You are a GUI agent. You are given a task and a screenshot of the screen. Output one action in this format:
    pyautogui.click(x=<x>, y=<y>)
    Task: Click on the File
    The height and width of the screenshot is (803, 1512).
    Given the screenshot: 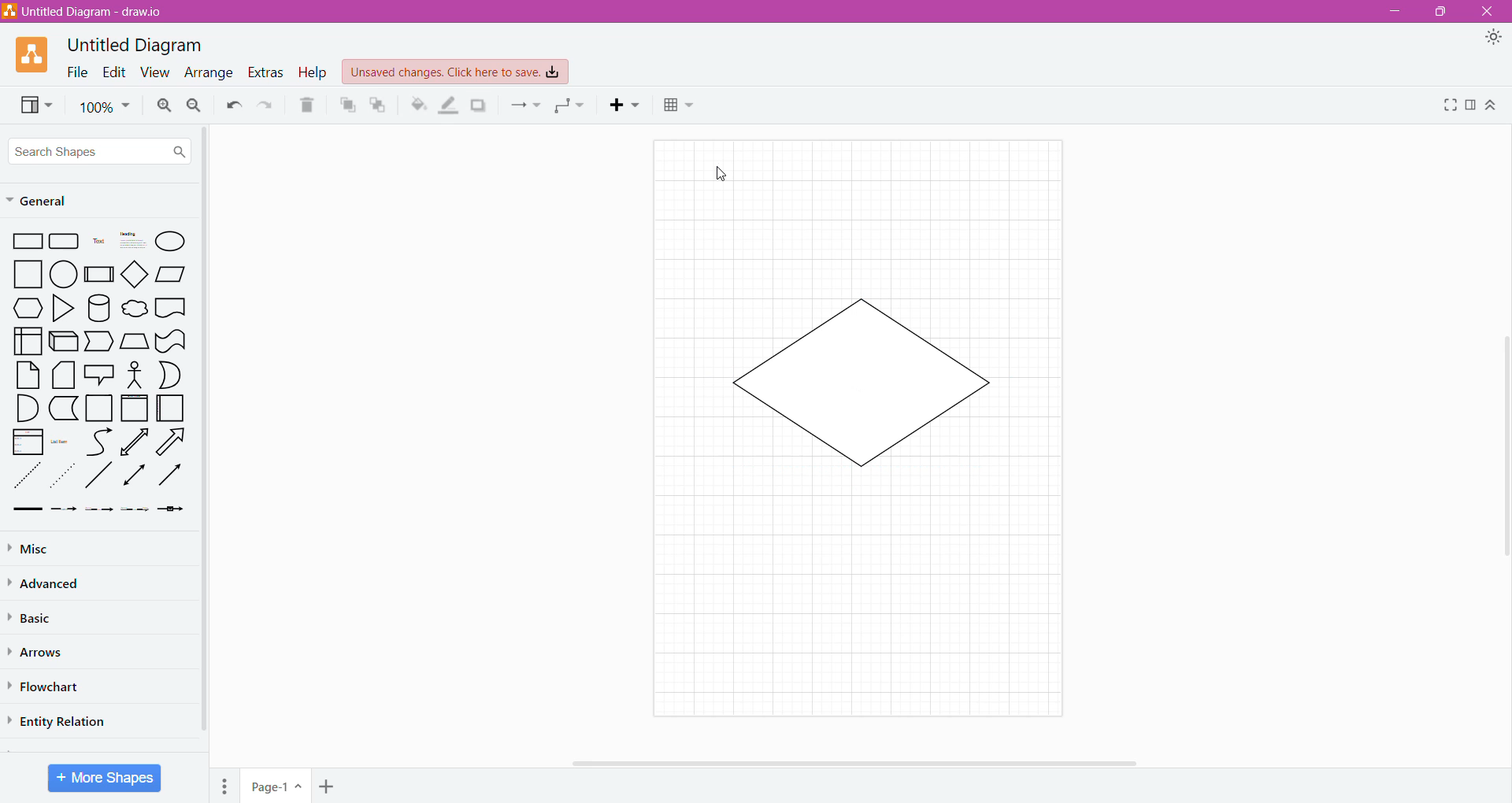 What is the action you would take?
    pyautogui.click(x=73, y=72)
    